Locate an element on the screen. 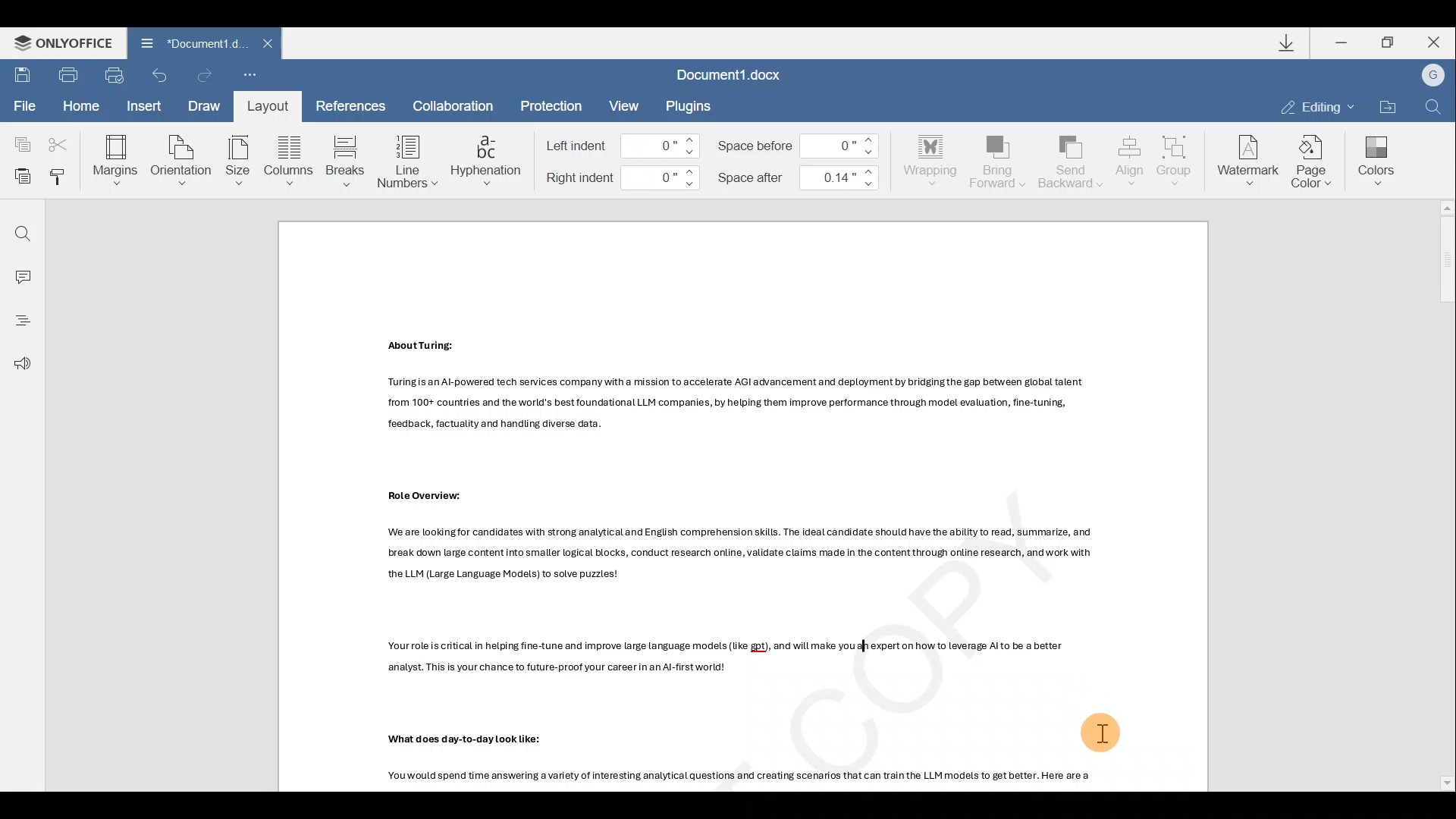 The image size is (1456, 819). Line numbers is located at coordinates (405, 161).